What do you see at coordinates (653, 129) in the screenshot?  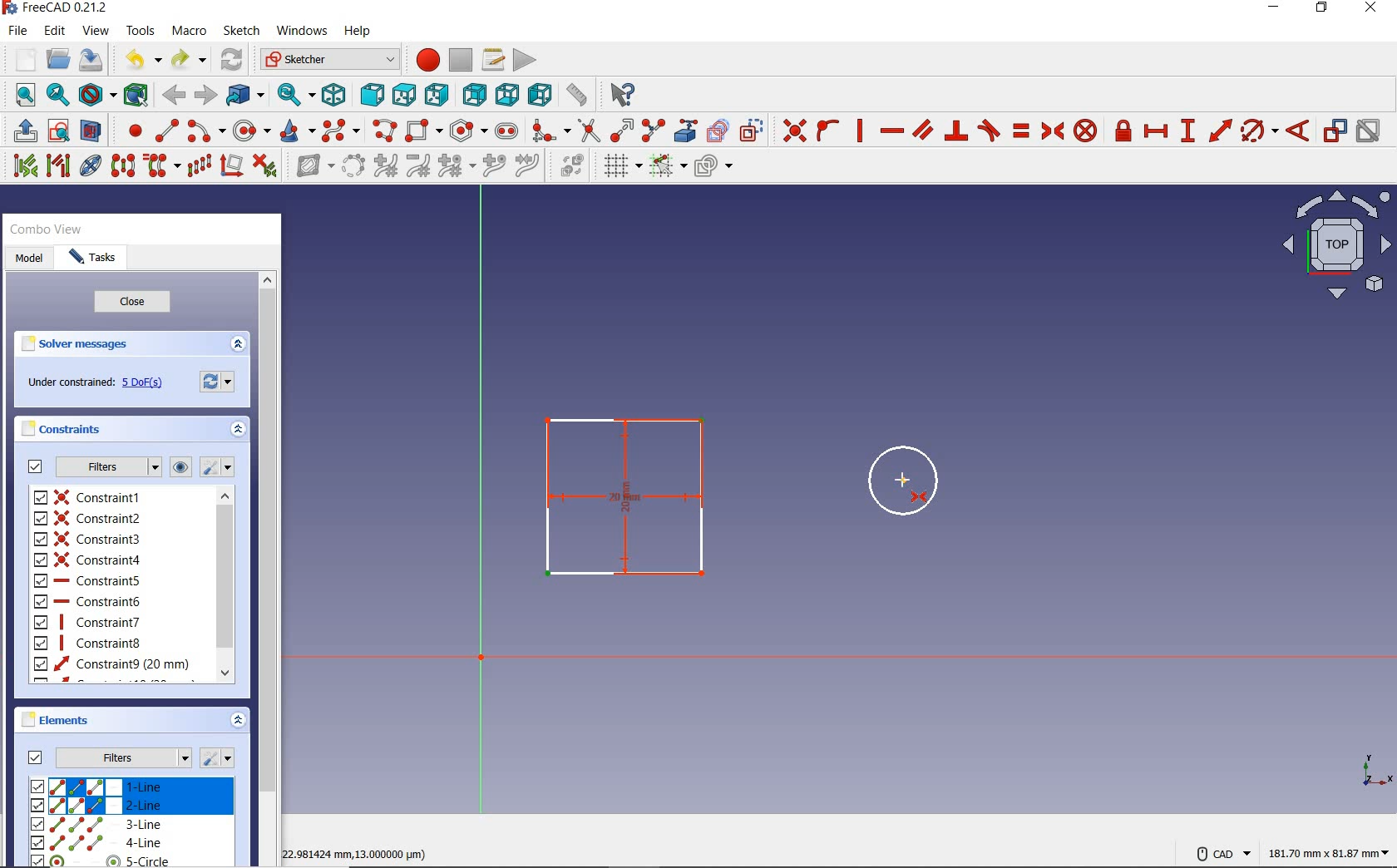 I see `split edge` at bounding box center [653, 129].